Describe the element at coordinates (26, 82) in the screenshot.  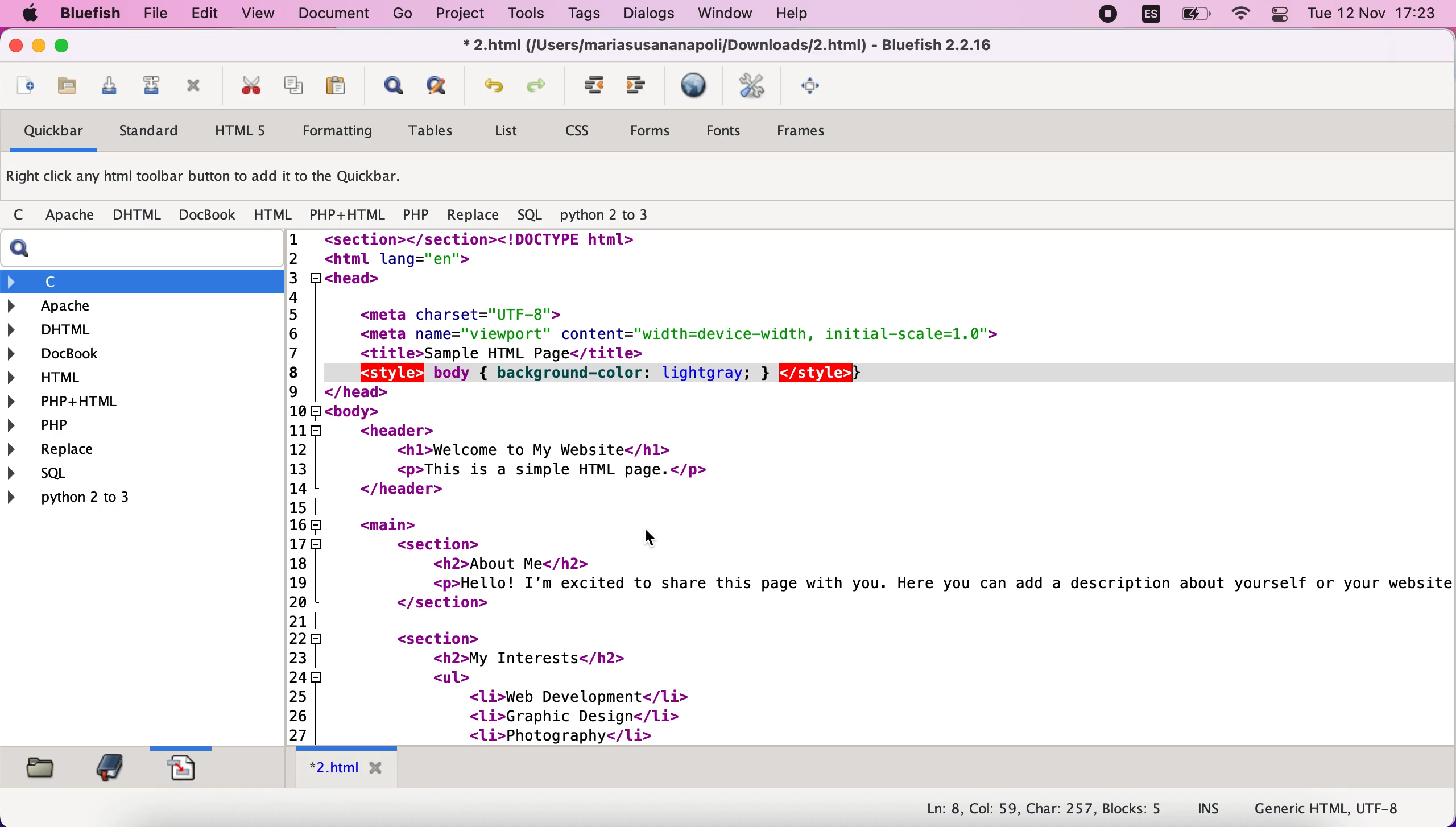
I see `new file` at that location.